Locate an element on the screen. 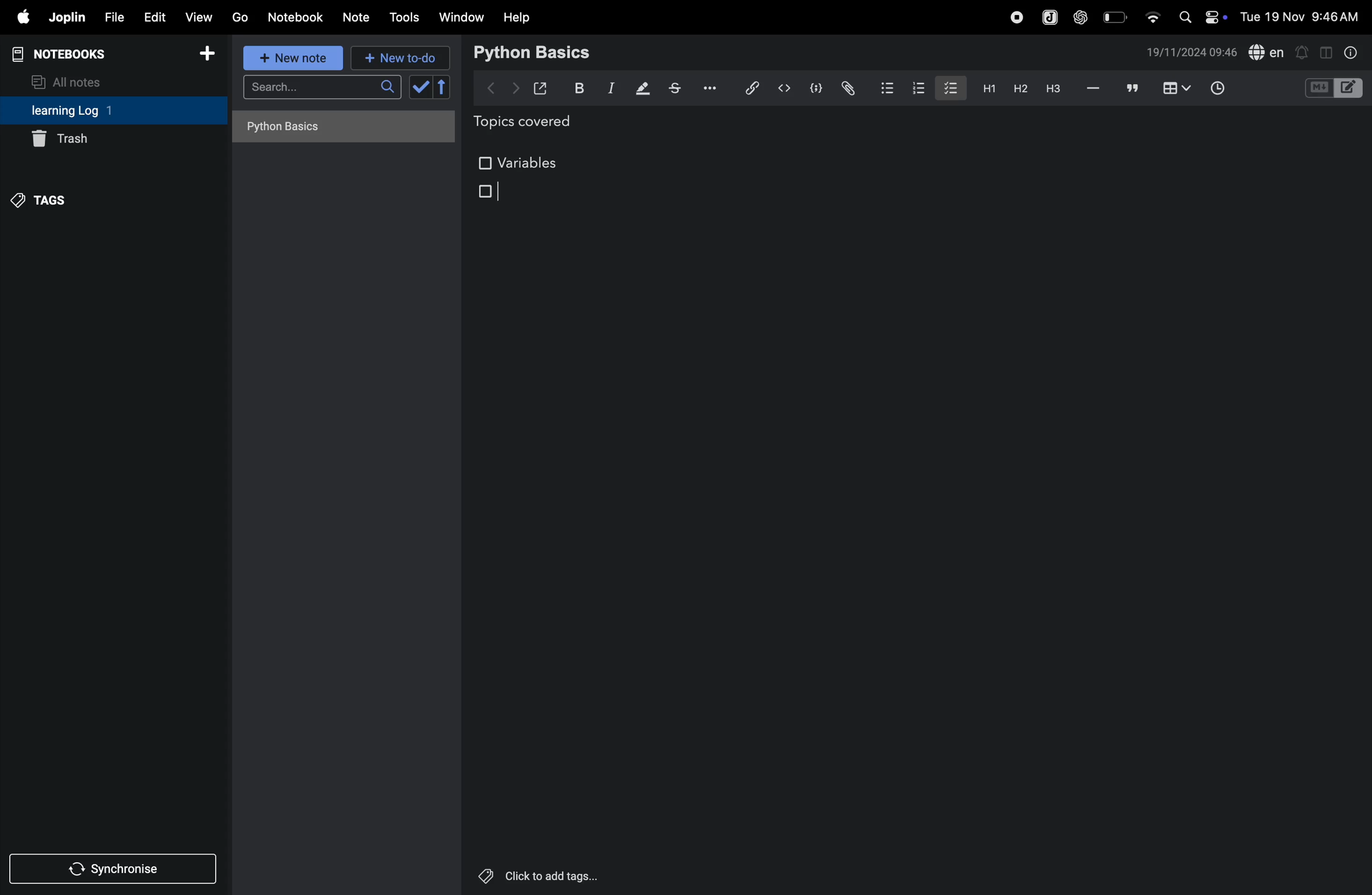 This screenshot has width=1372, height=895. info is located at coordinates (1349, 52).